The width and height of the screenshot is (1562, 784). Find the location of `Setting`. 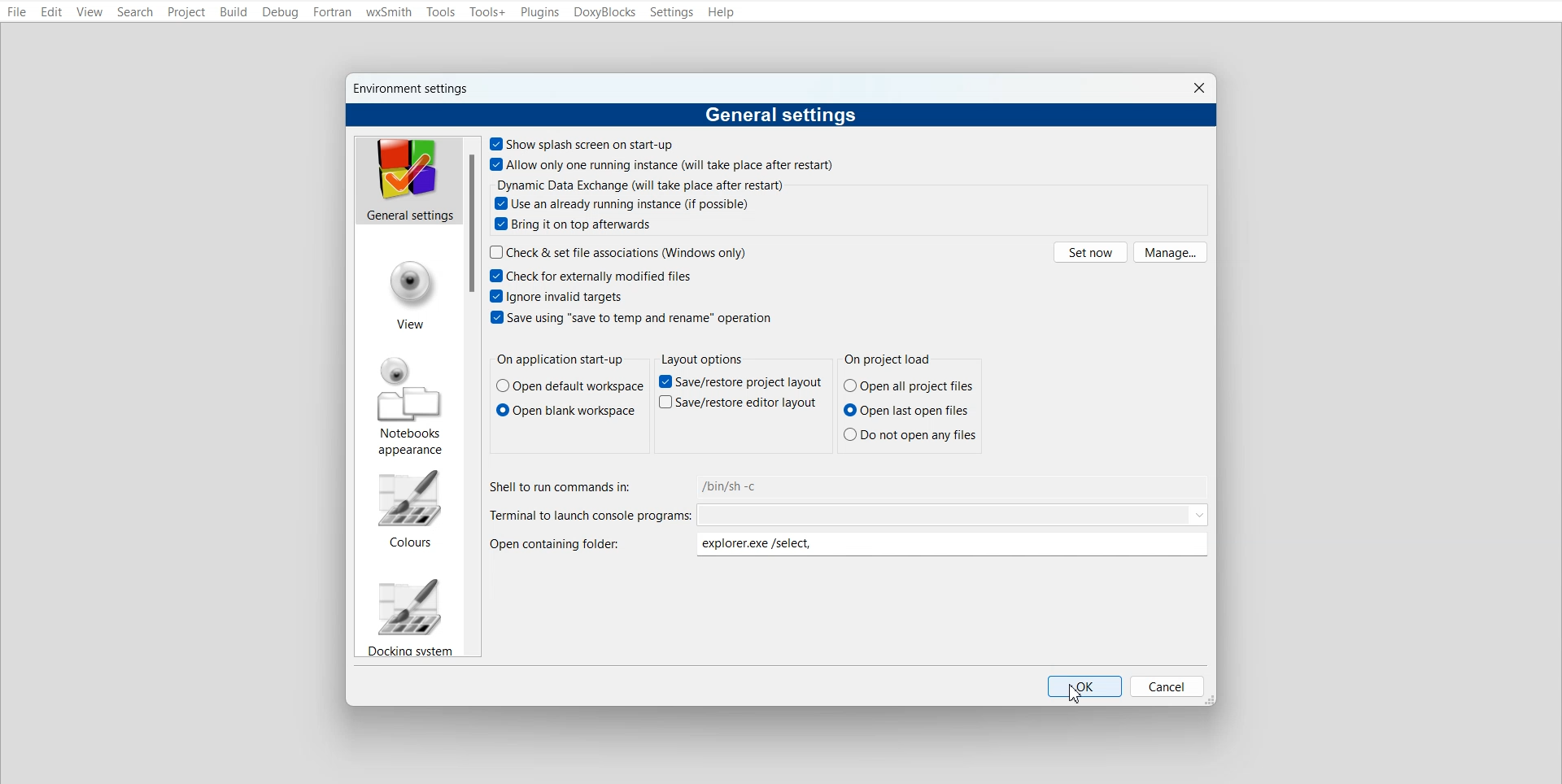

Setting is located at coordinates (671, 12).